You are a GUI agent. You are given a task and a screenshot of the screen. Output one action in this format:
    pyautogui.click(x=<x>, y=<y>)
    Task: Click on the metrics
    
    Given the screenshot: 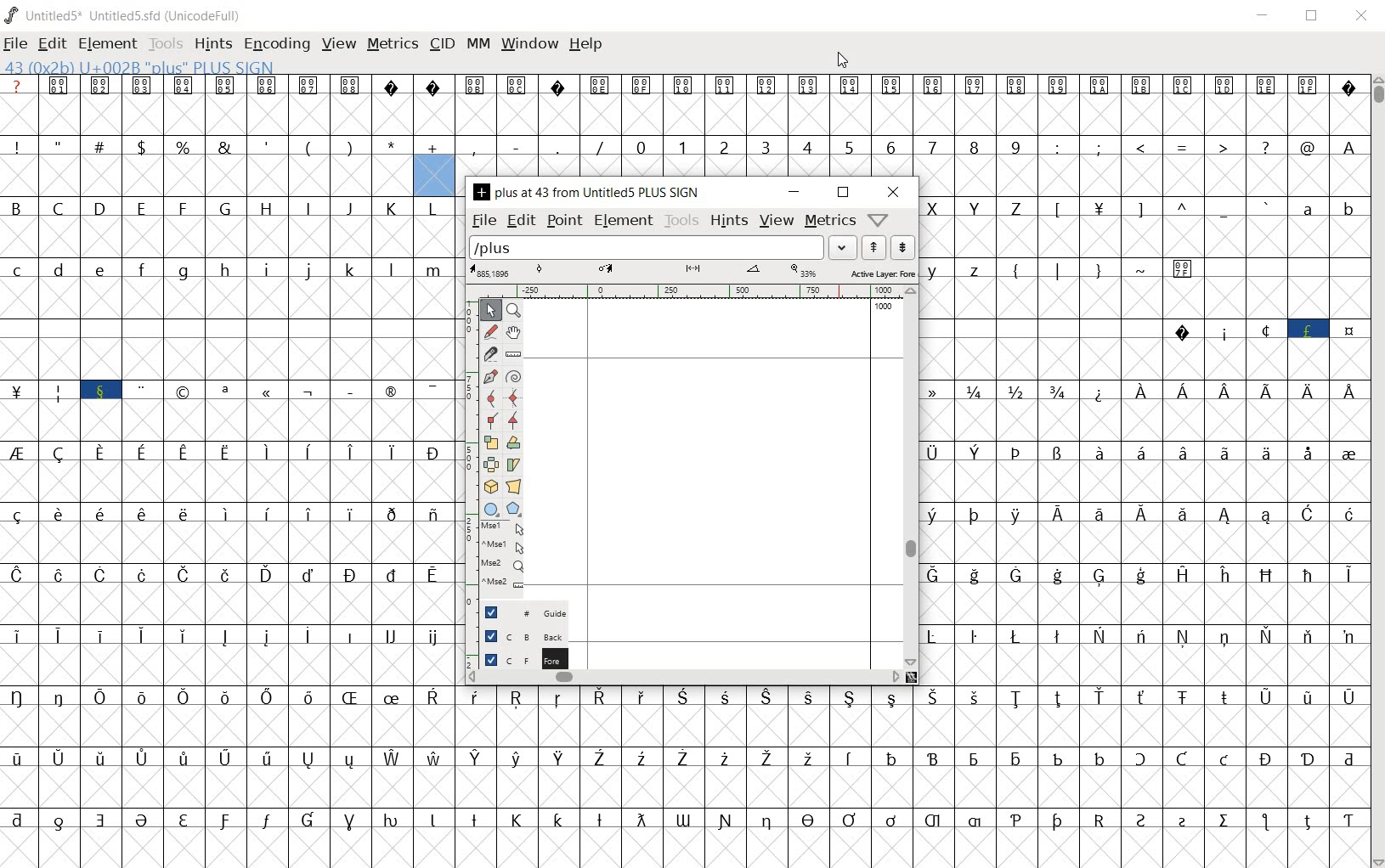 What is the action you would take?
    pyautogui.click(x=392, y=45)
    